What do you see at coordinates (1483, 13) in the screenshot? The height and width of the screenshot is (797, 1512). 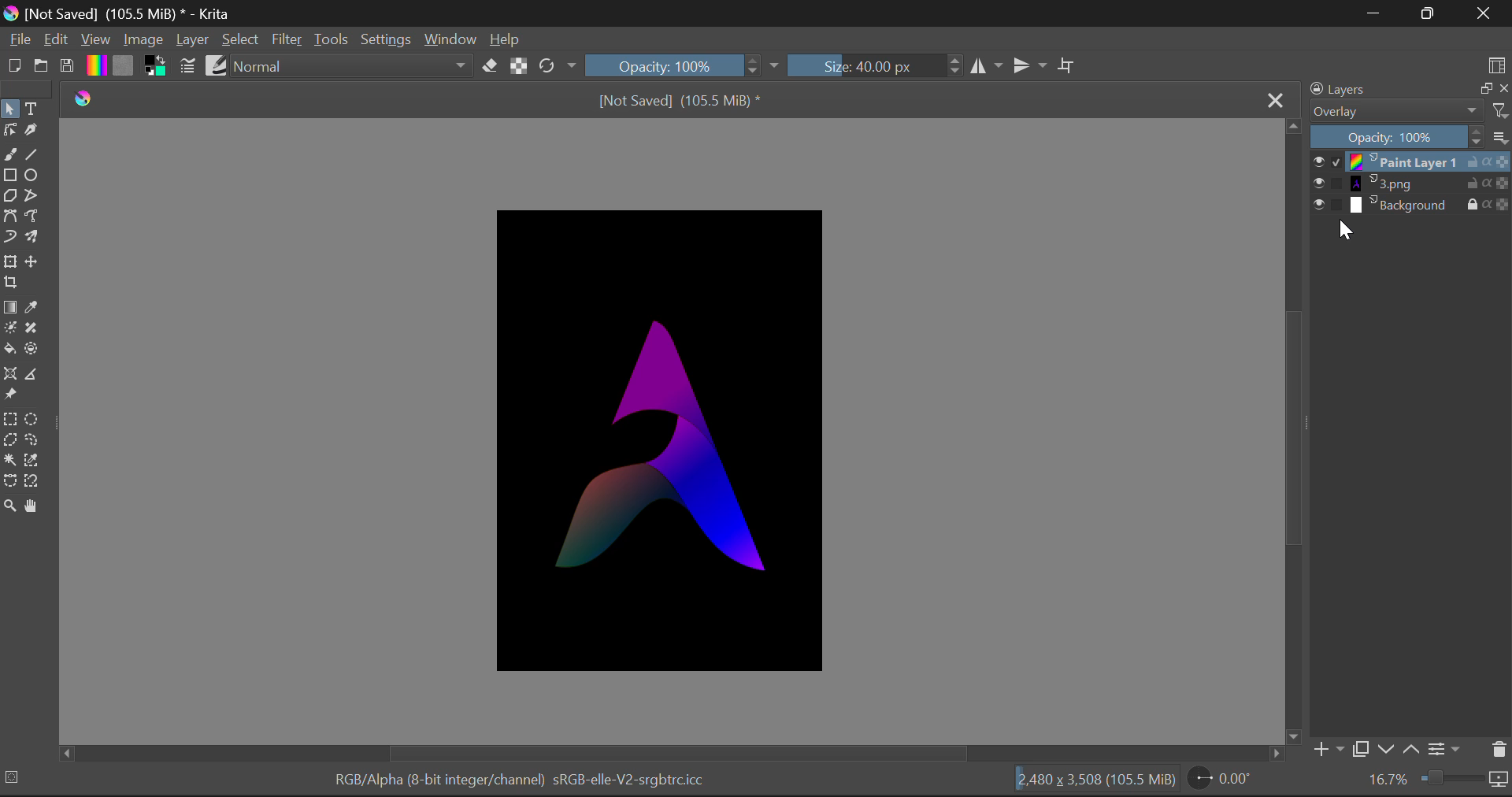 I see `Close` at bounding box center [1483, 13].